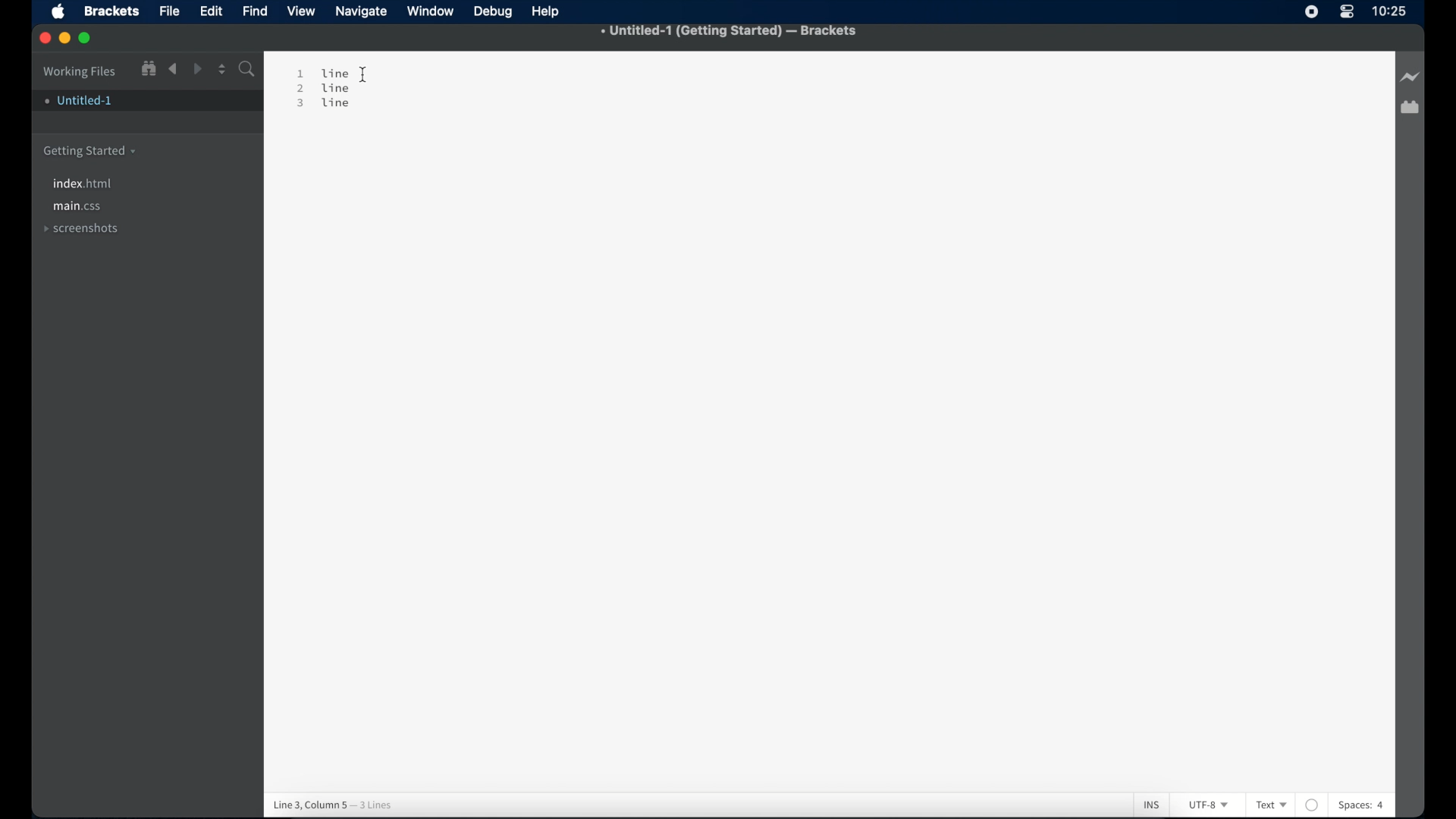 The width and height of the screenshot is (1456, 819). Describe the element at coordinates (1309, 11) in the screenshot. I see `screen recorder icon` at that location.